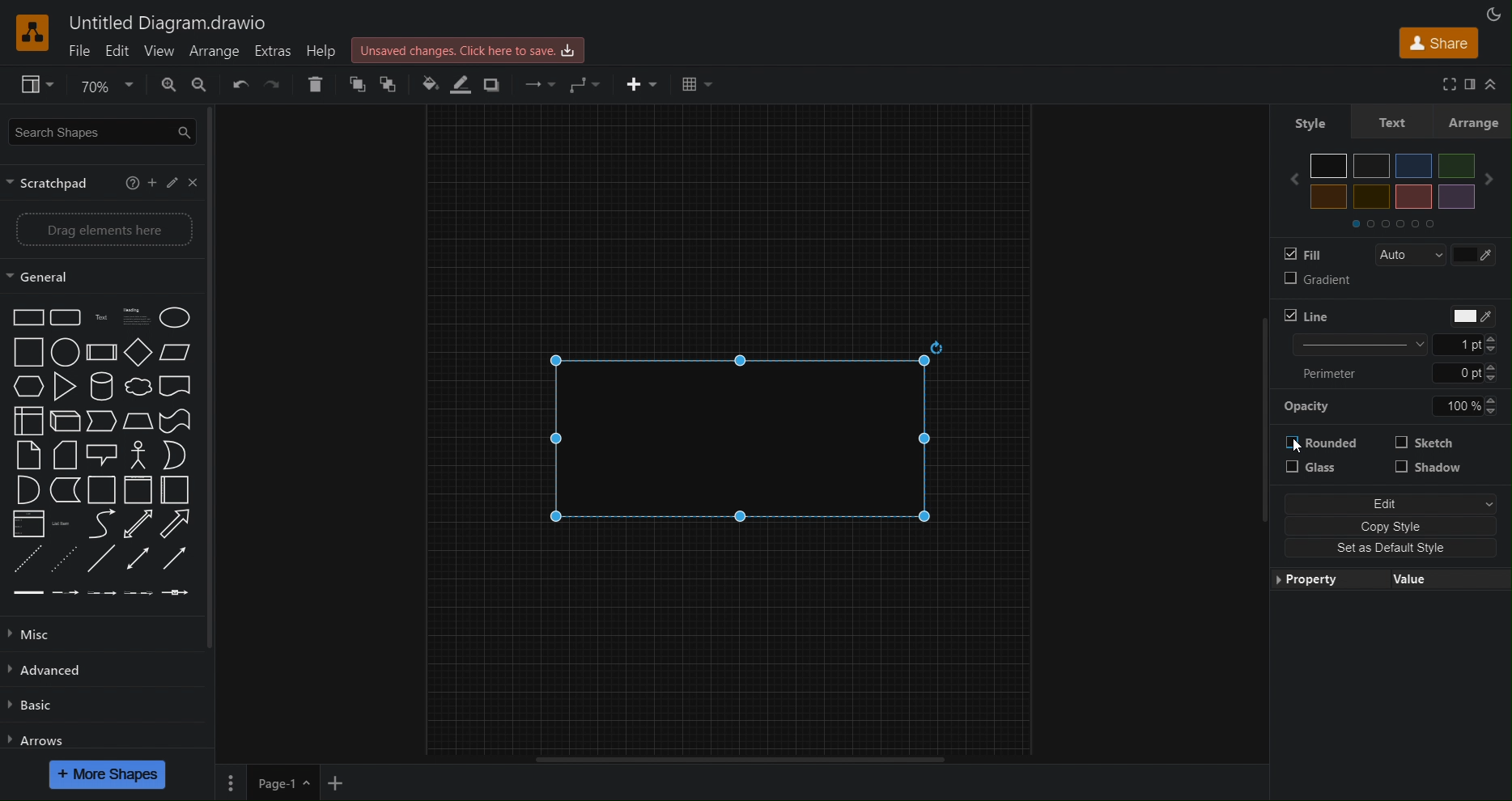 This screenshot has height=801, width=1512. Describe the element at coordinates (326, 52) in the screenshot. I see `Help` at that location.